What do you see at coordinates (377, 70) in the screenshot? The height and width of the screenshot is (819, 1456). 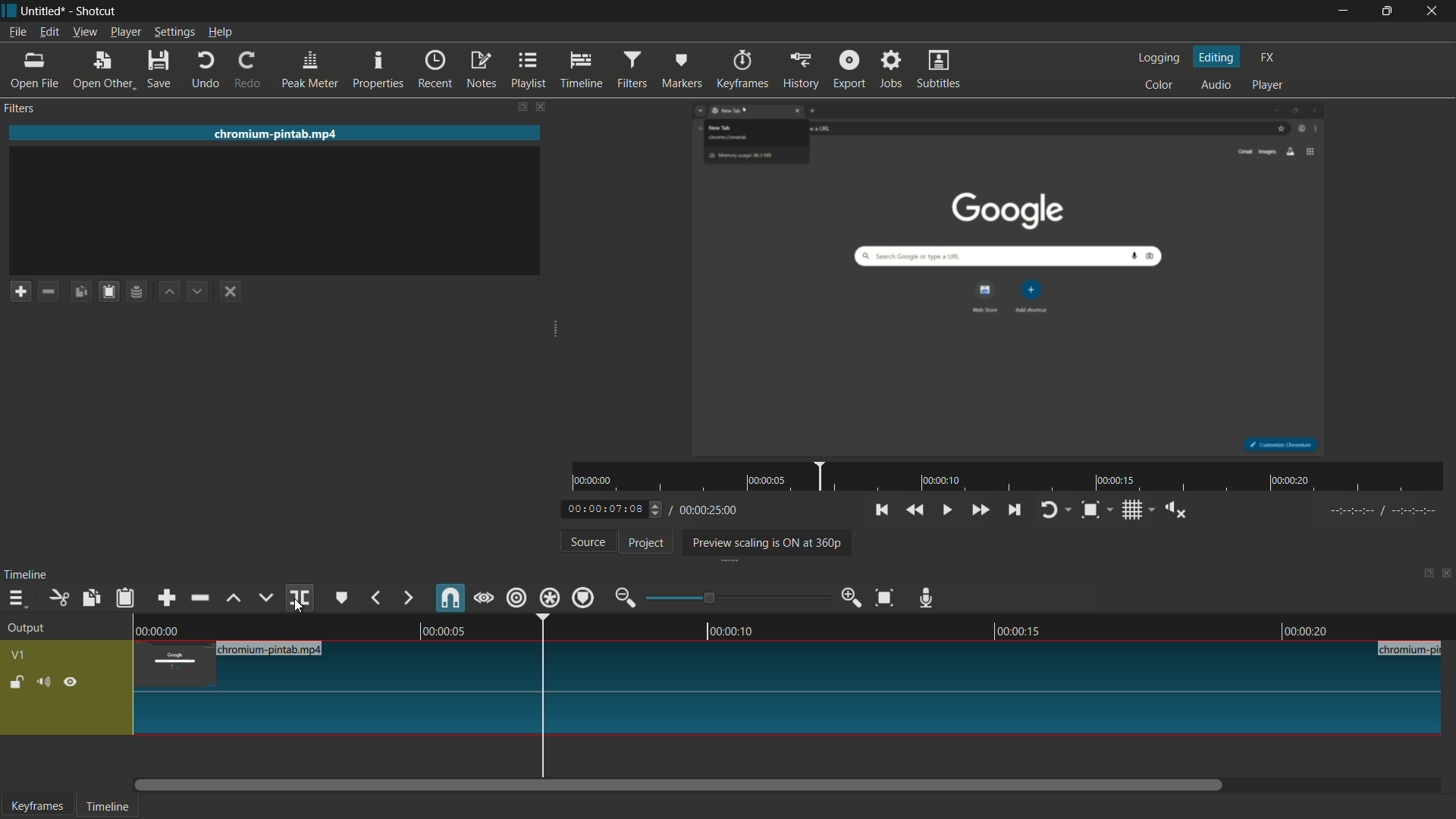 I see `properties` at bounding box center [377, 70].